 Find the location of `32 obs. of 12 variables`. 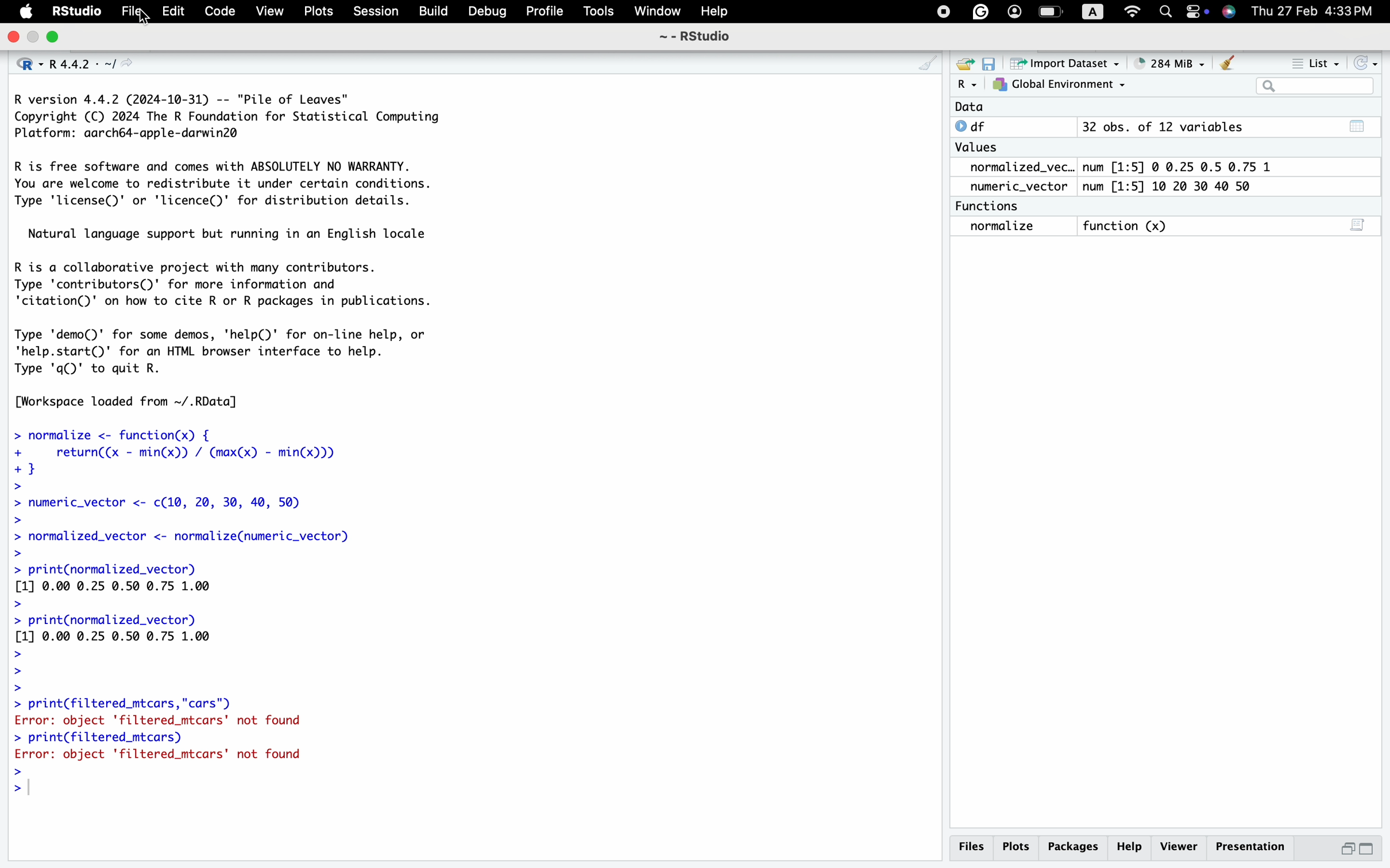

32 obs. of 12 variables is located at coordinates (1227, 130).